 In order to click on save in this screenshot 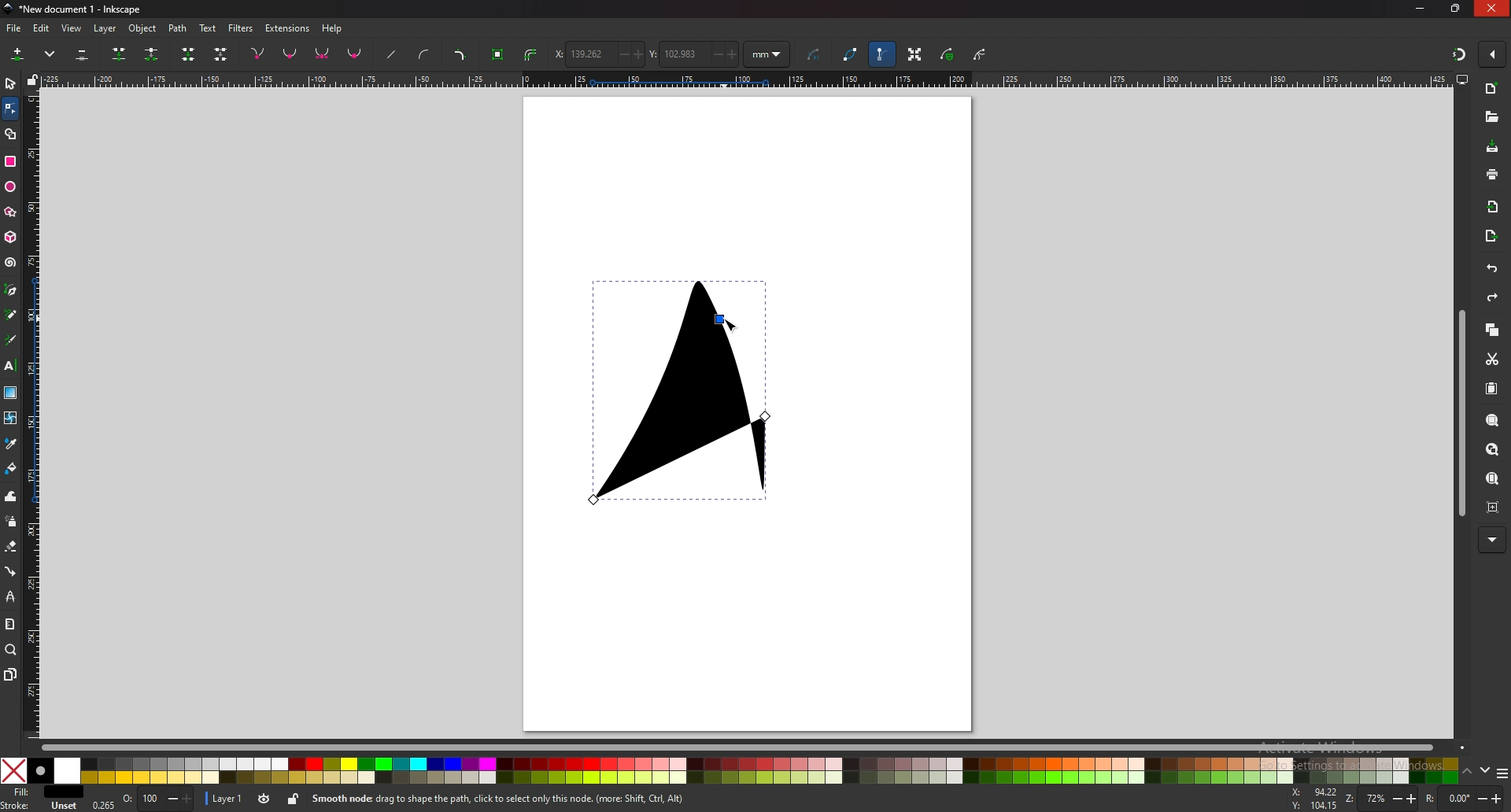, I will do `click(1494, 148)`.